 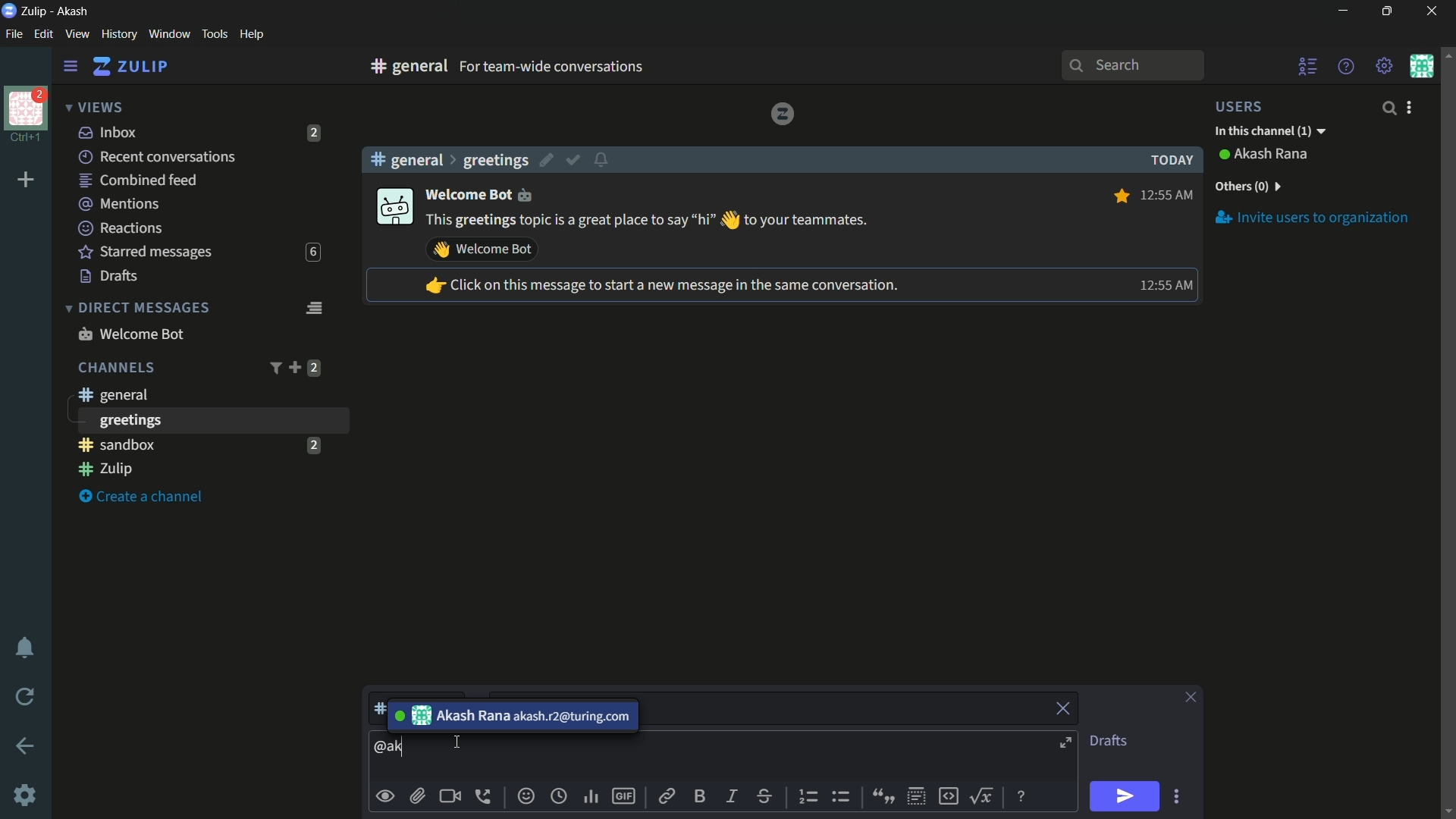 What do you see at coordinates (486, 796) in the screenshot?
I see `add voice call` at bounding box center [486, 796].